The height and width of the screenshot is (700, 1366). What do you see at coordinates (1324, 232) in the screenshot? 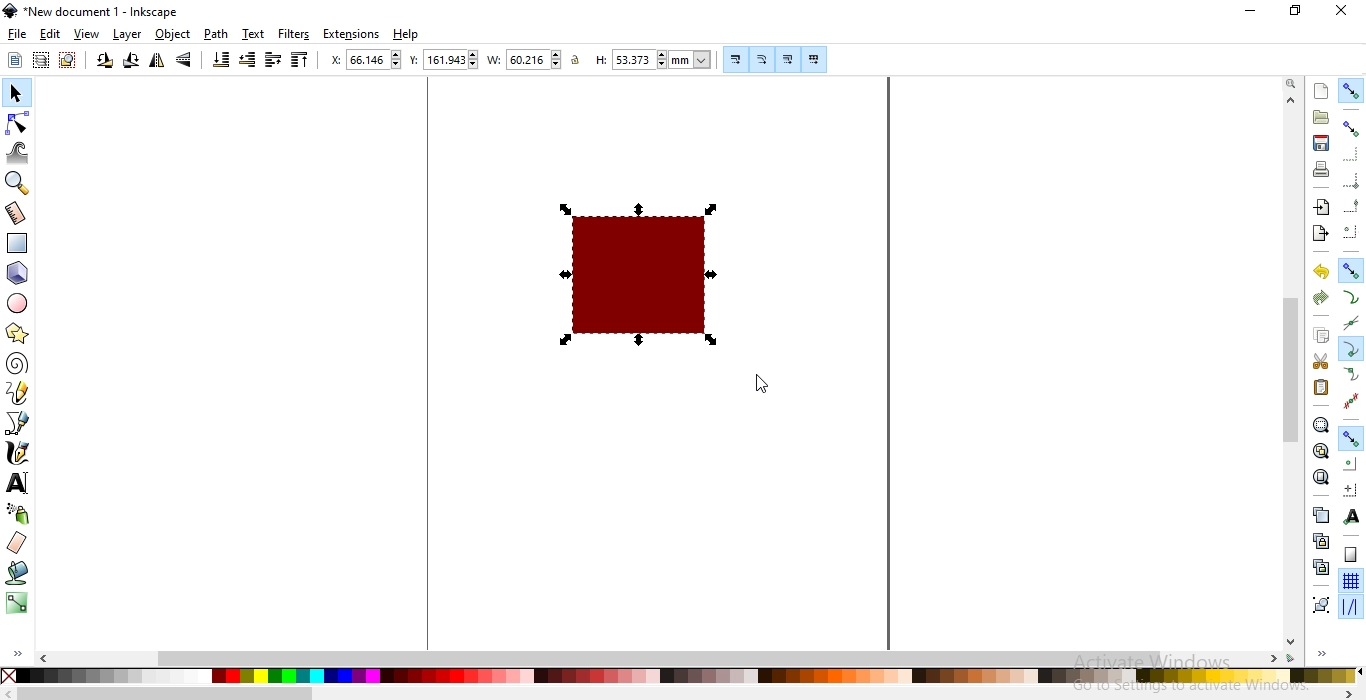
I see `export a document` at bounding box center [1324, 232].